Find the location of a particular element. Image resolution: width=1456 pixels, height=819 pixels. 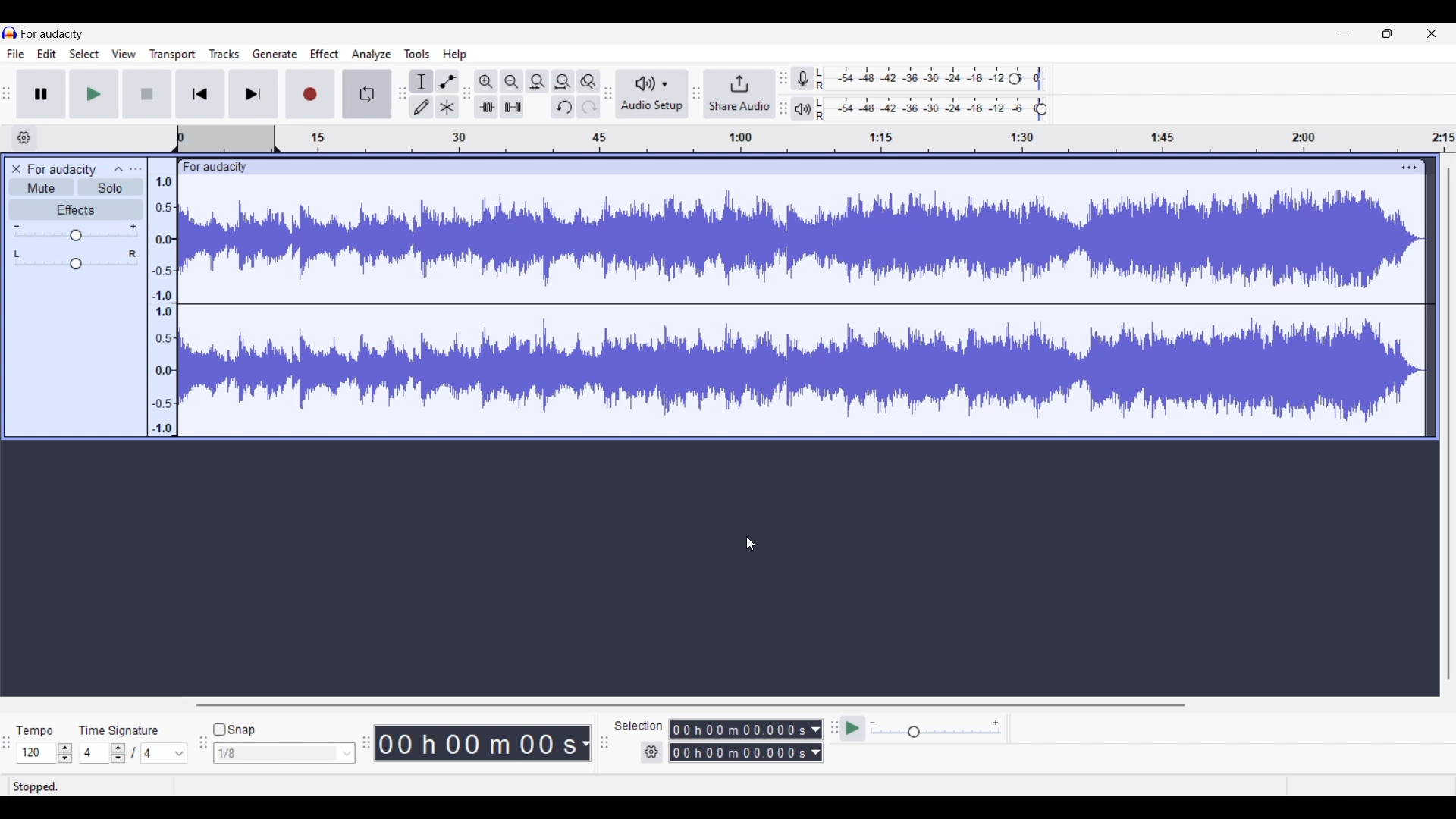

Status of recording is located at coordinates (71, 786).